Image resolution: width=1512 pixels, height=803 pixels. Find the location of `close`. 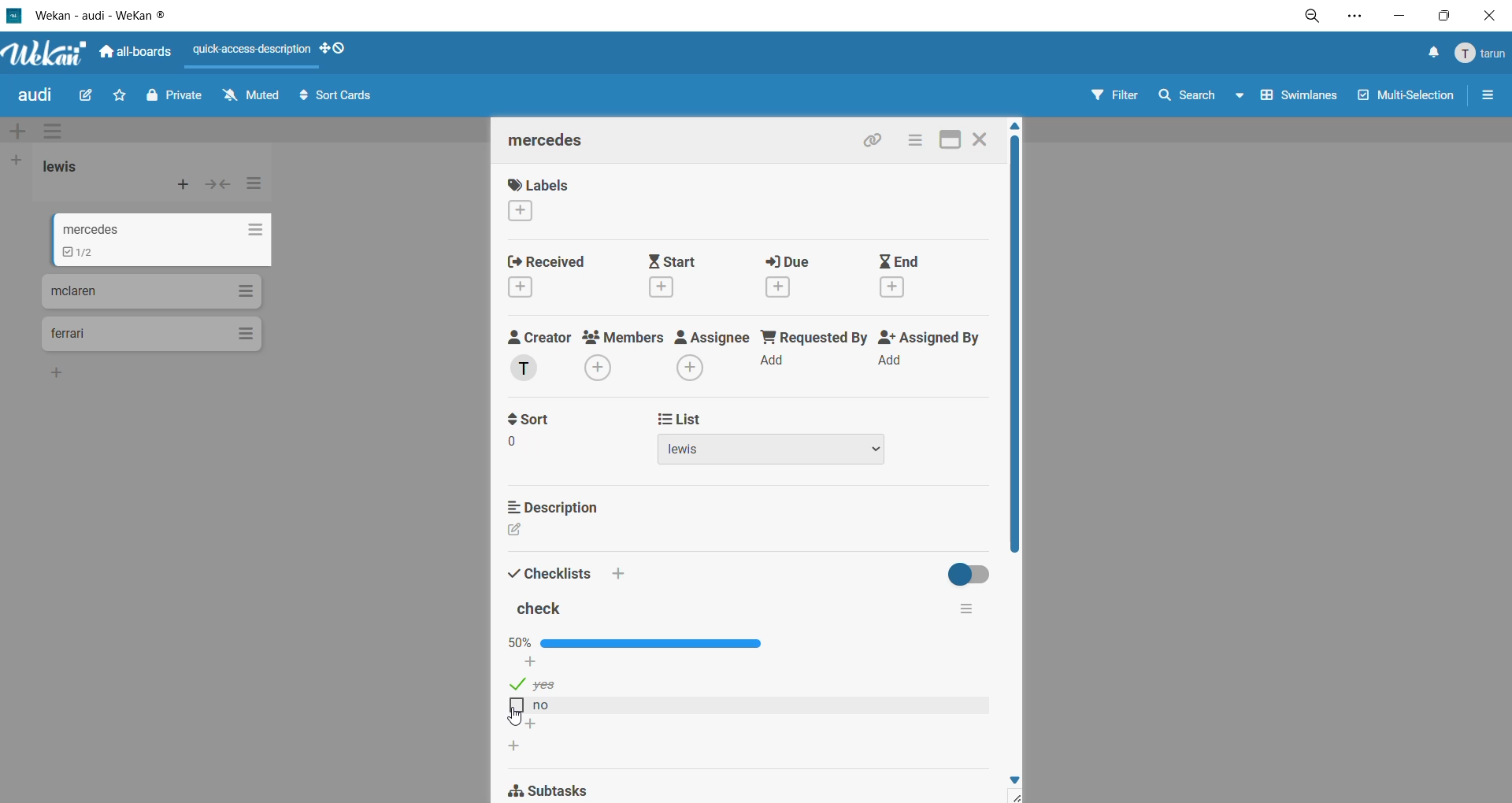

close is located at coordinates (984, 140).